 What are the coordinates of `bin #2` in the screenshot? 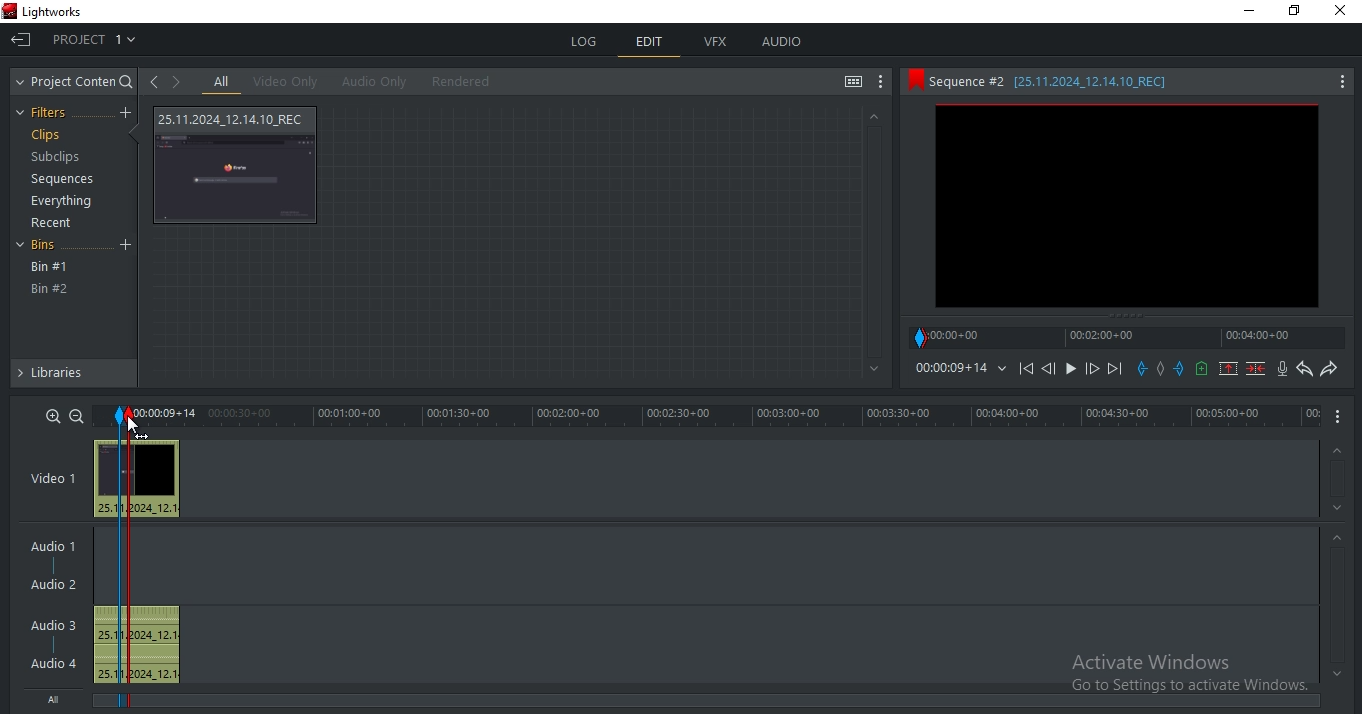 It's located at (50, 289).